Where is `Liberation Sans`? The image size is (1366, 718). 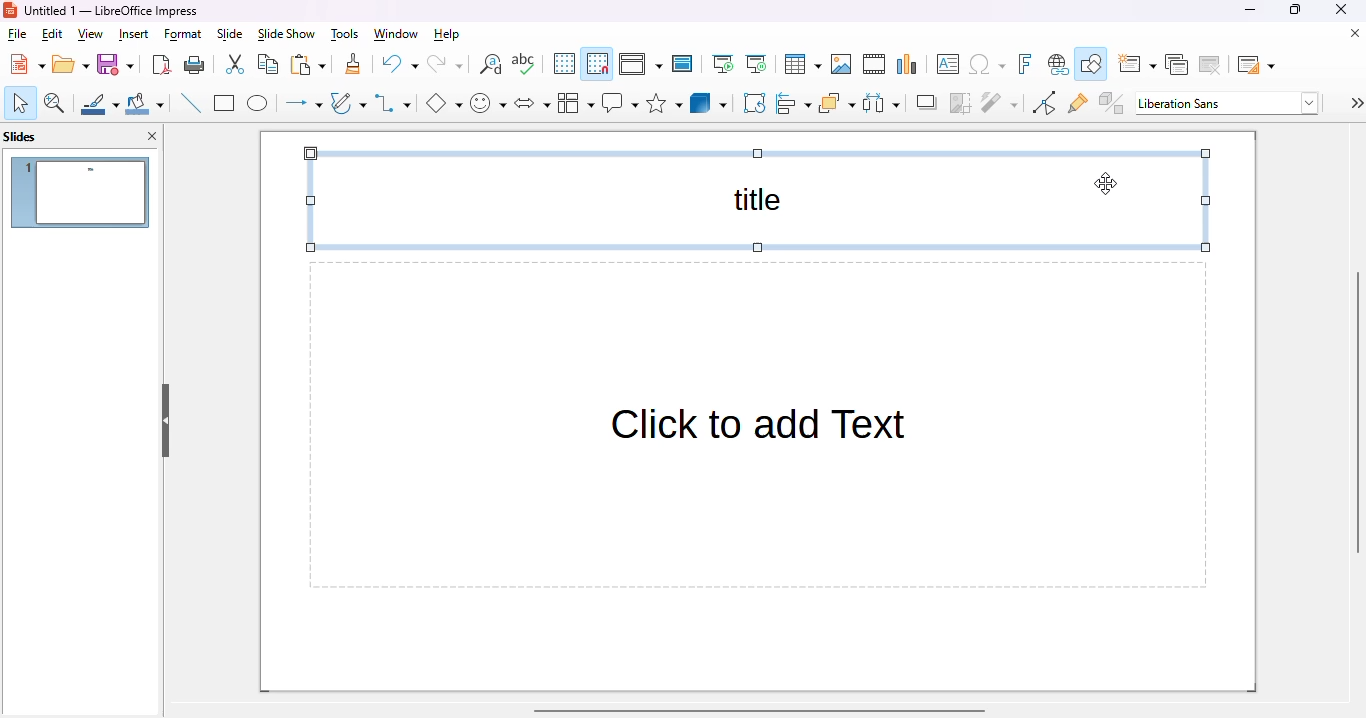 Liberation Sans is located at coordinates (1228, 103).